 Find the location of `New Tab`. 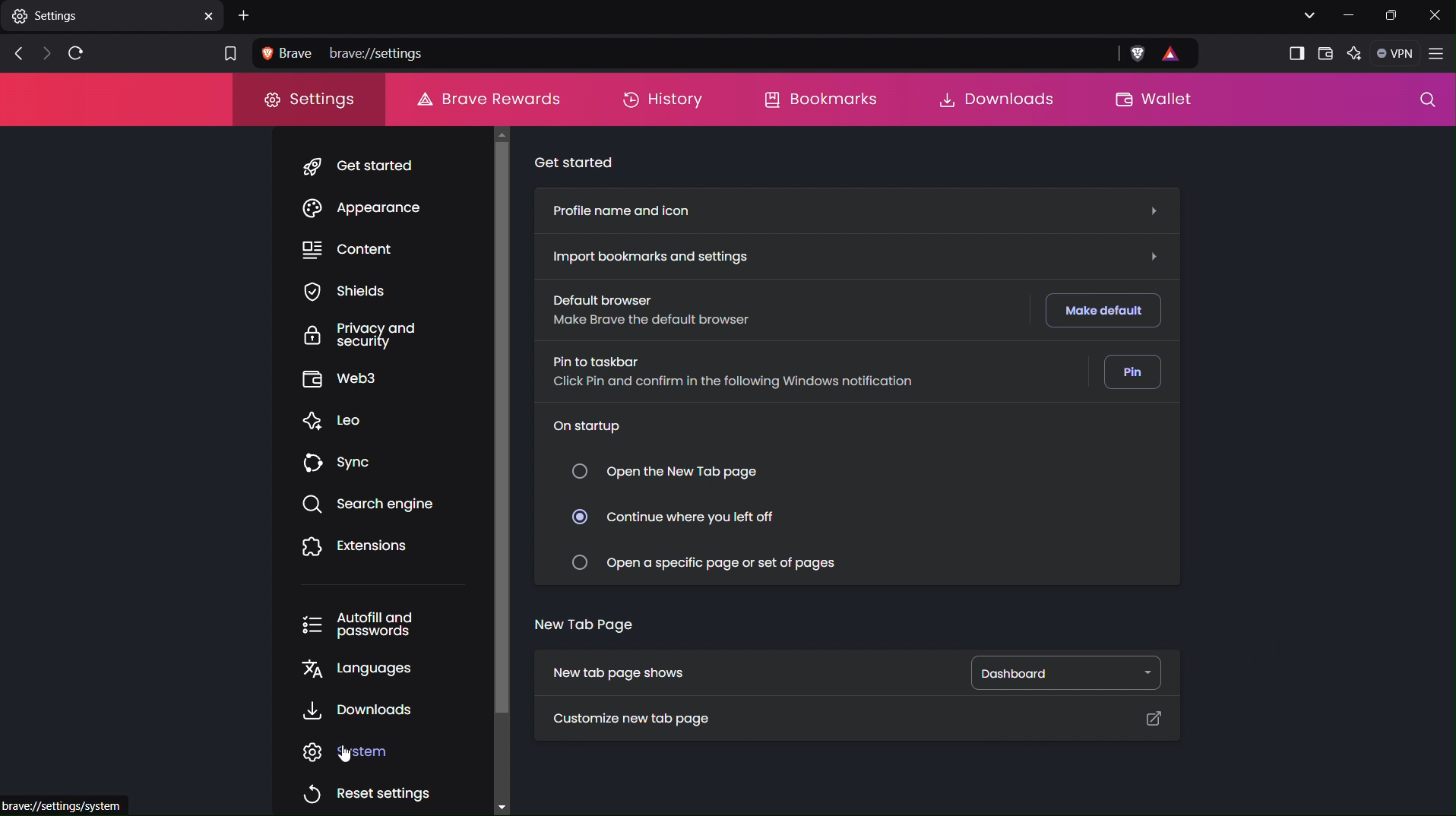

New Tab is located at coordinates (112, 15).